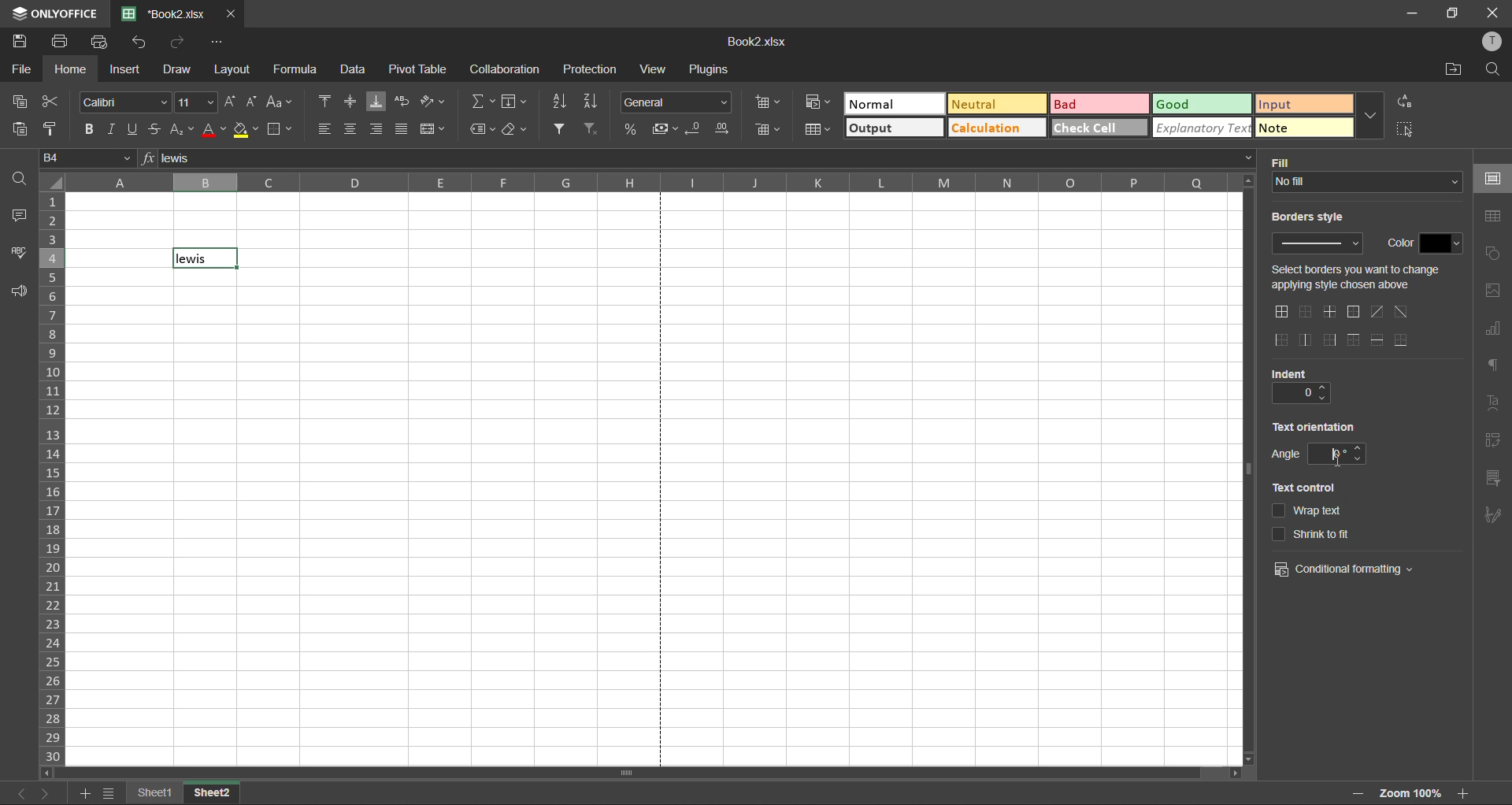 The height and width of the screenshot is (805, 1512). What do you see at coordinates (815, 131) in the screenshot?
I see `format as table` at bounding box center [815, 131].